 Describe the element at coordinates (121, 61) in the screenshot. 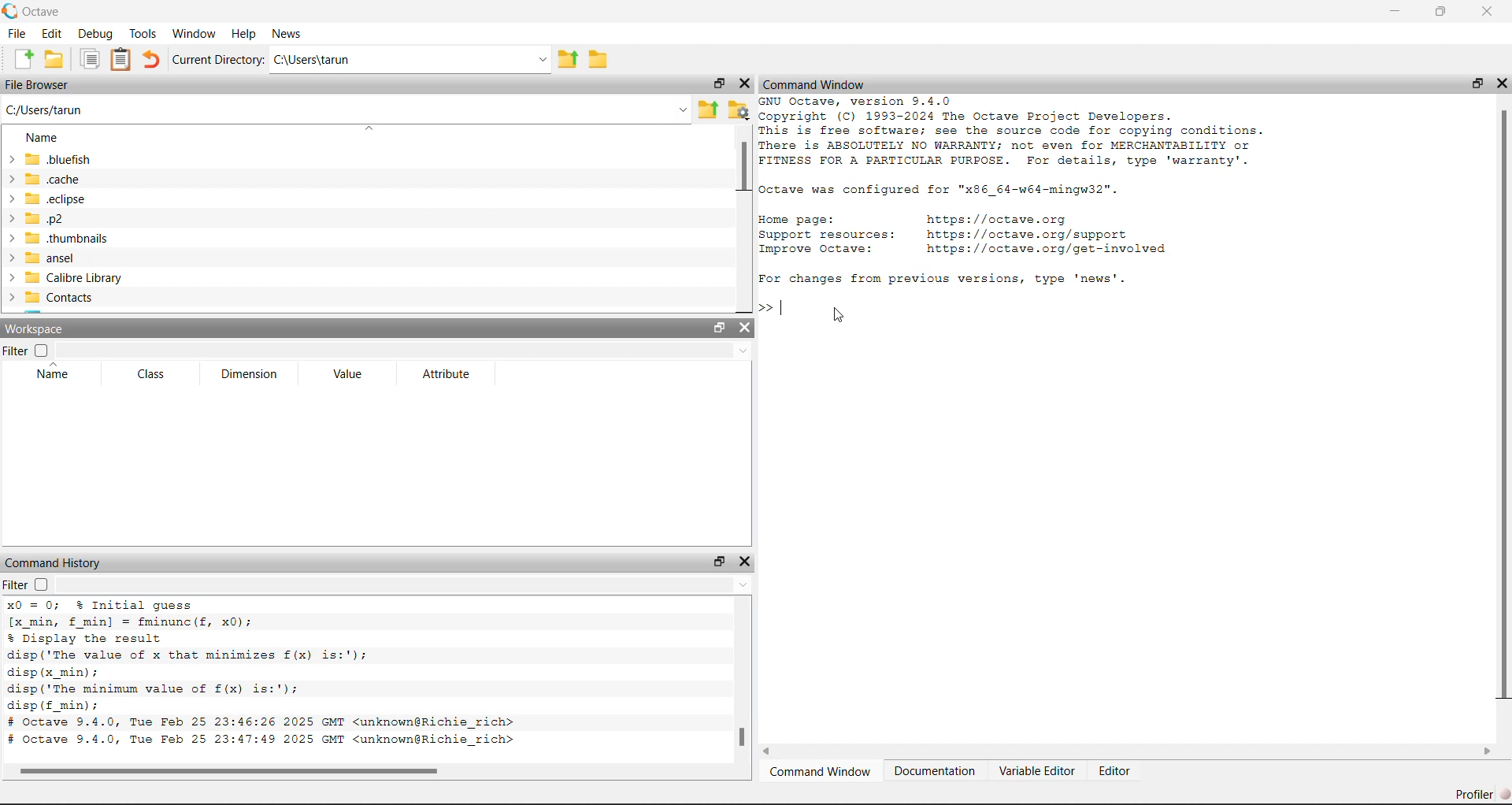

I see `Paste` at that location.